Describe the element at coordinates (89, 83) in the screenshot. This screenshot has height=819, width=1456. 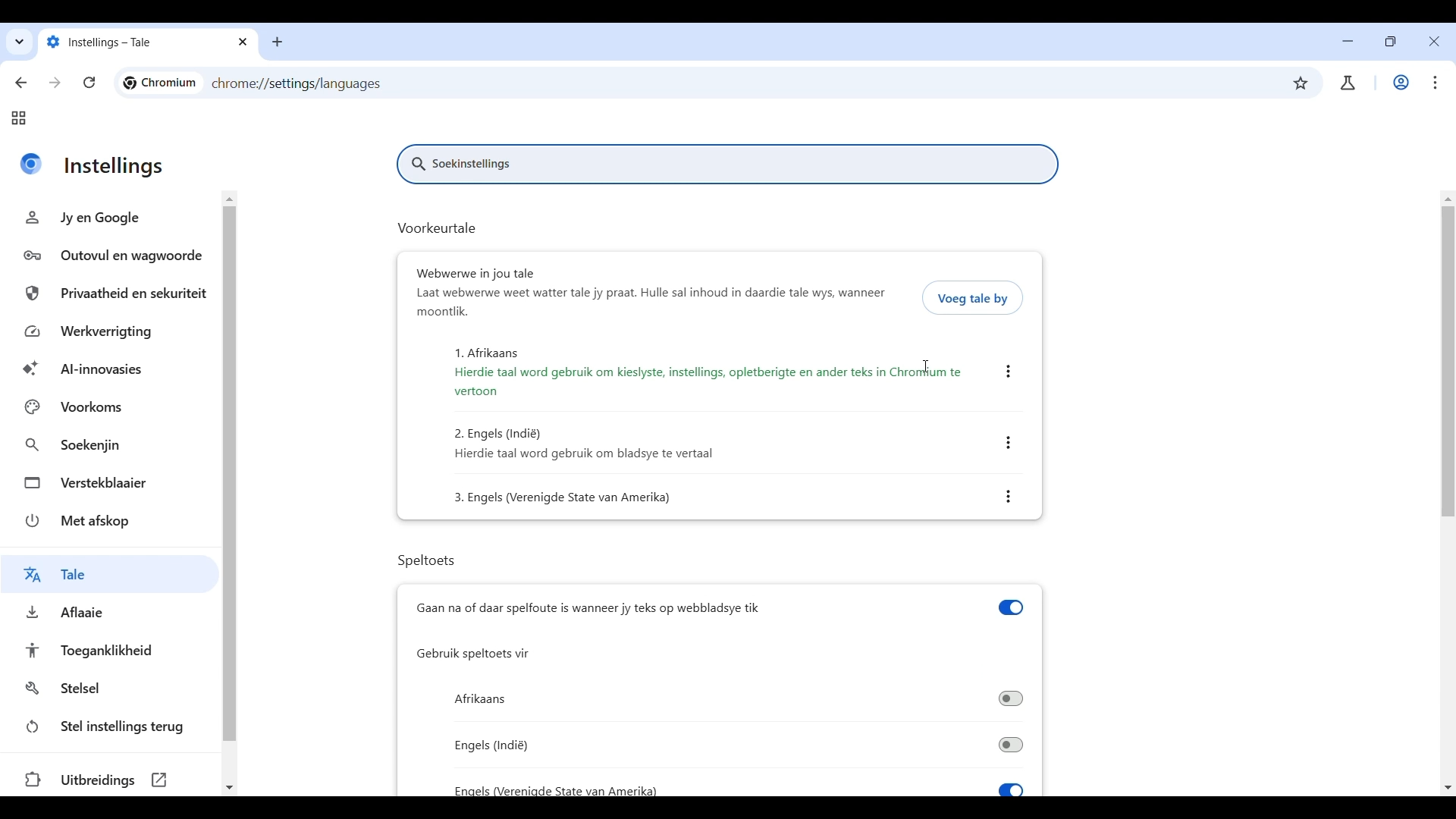
I see `Reload page` at that location.